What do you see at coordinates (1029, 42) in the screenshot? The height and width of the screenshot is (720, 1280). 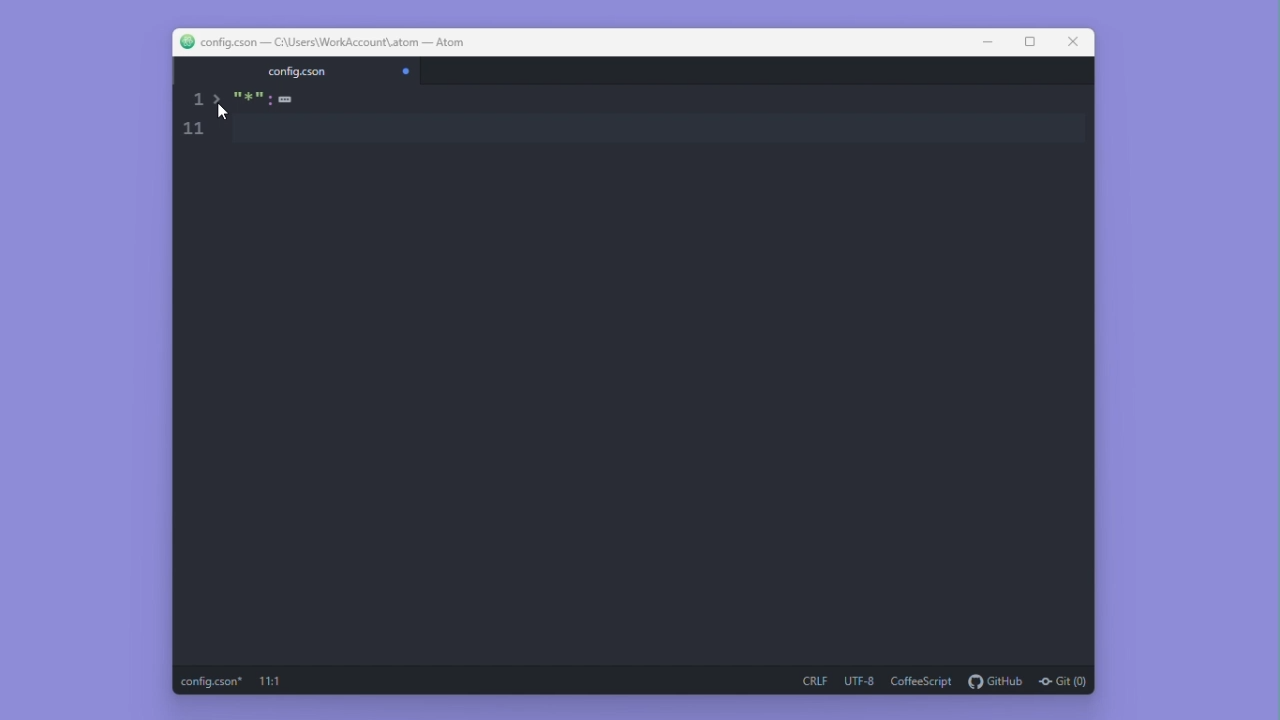 I see `maximize` at bounding box center [1029, 42].